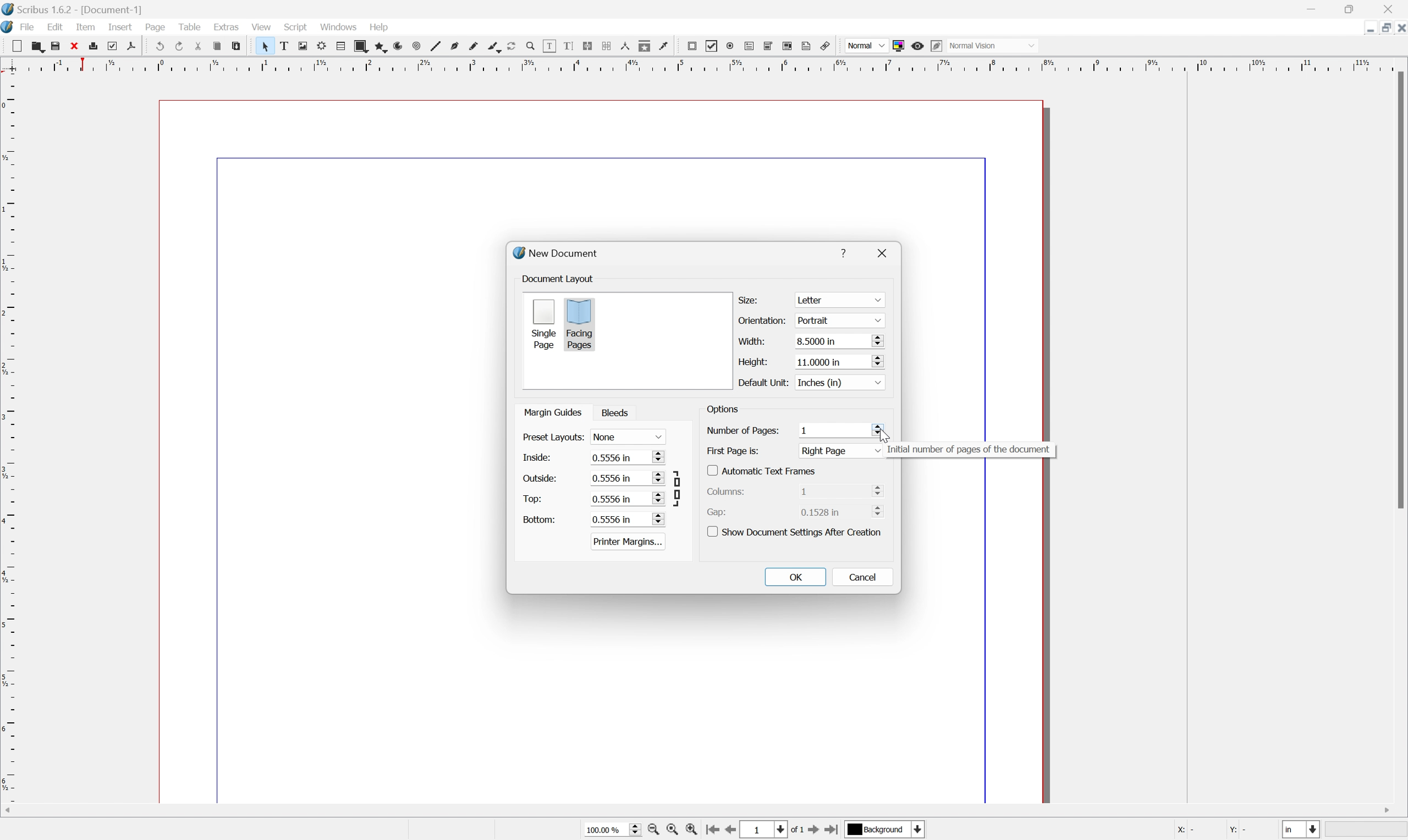 The width and height of the screenshot is (1408, 840). I want to click on Normal, so click(864, 45).